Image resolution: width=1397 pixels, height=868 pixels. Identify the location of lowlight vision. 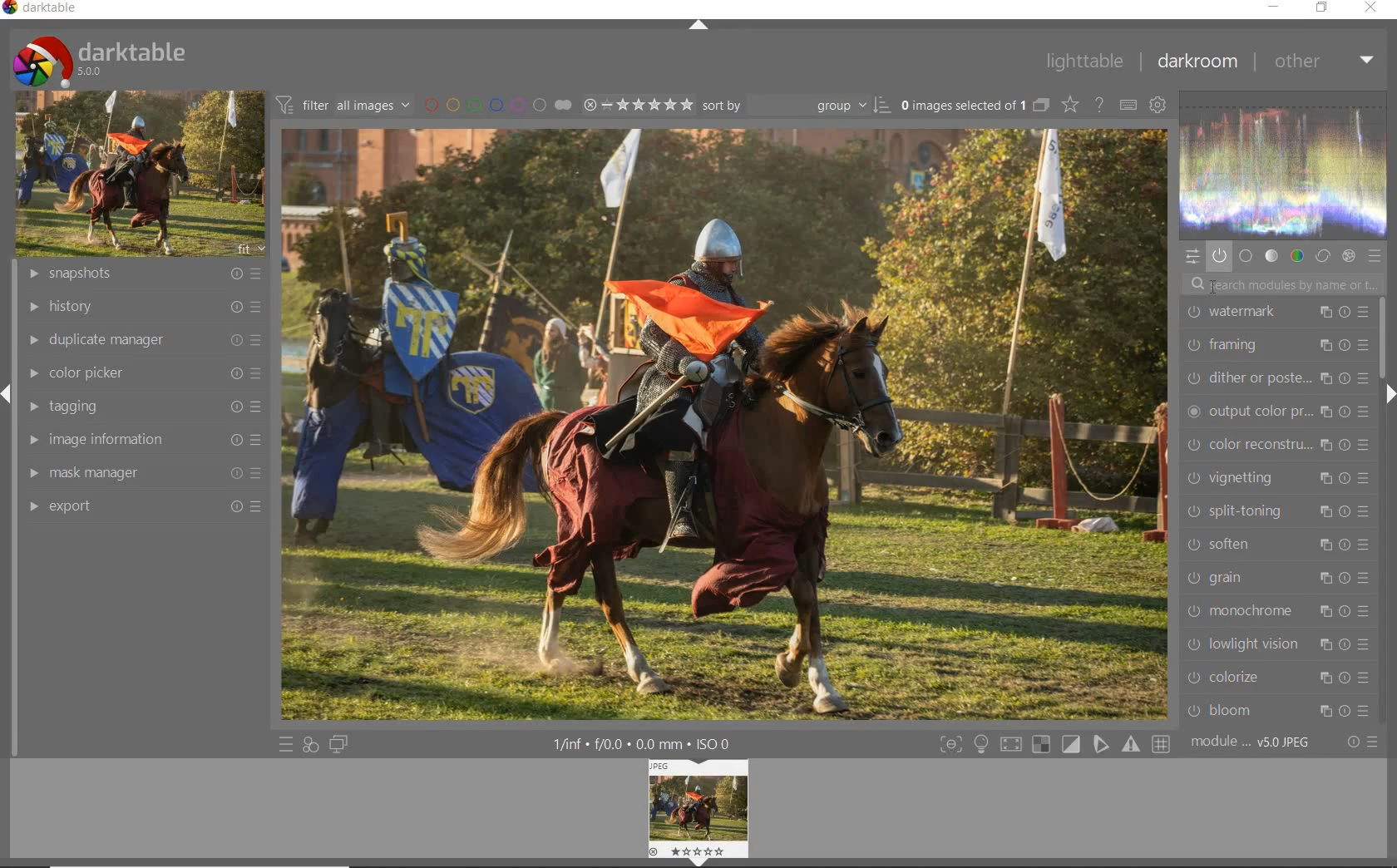
(1279, 646).